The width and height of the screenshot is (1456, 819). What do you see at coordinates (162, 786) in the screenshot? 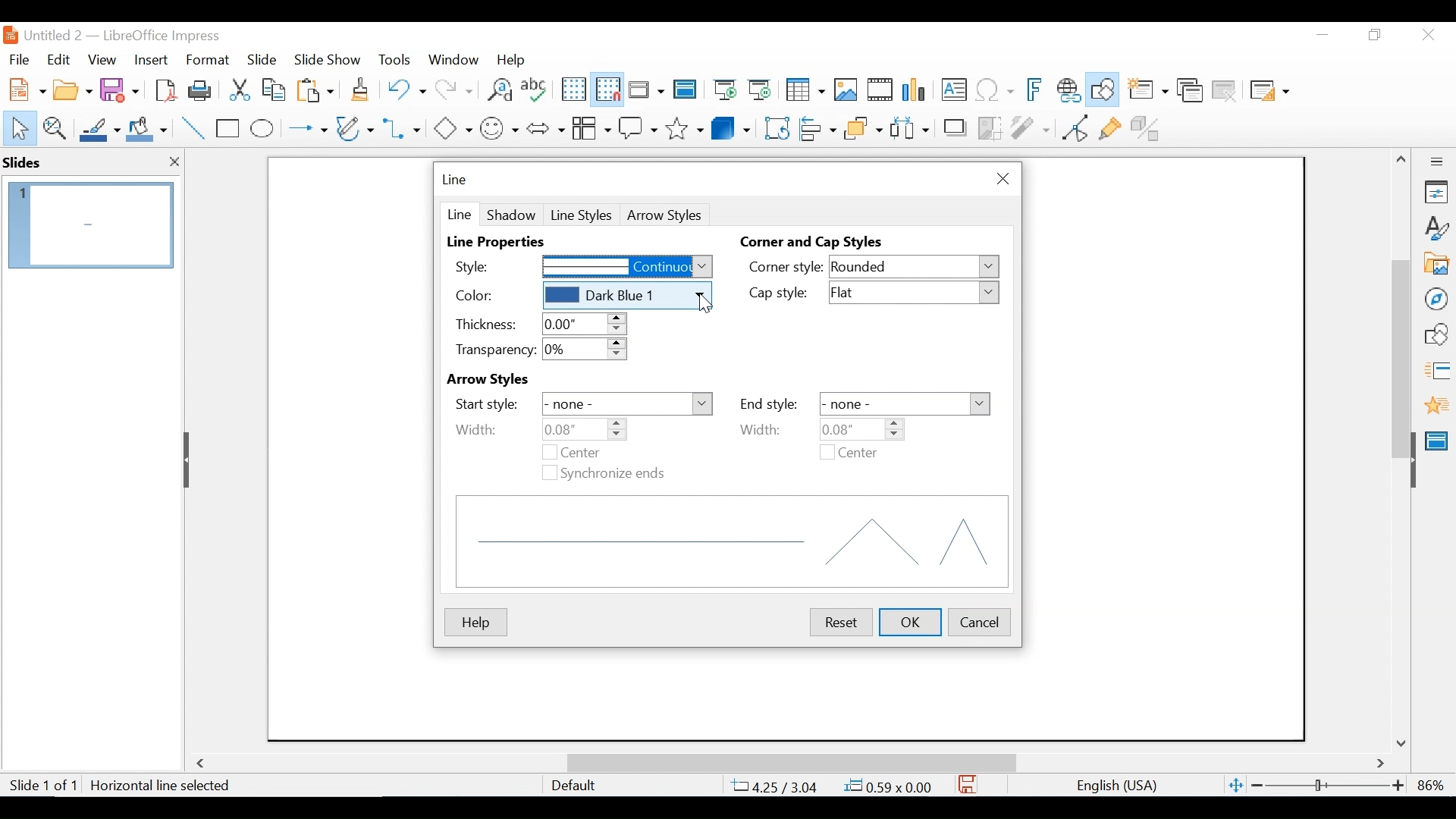
I see `Horizontal line Selected` at bounding box center [162, 786].